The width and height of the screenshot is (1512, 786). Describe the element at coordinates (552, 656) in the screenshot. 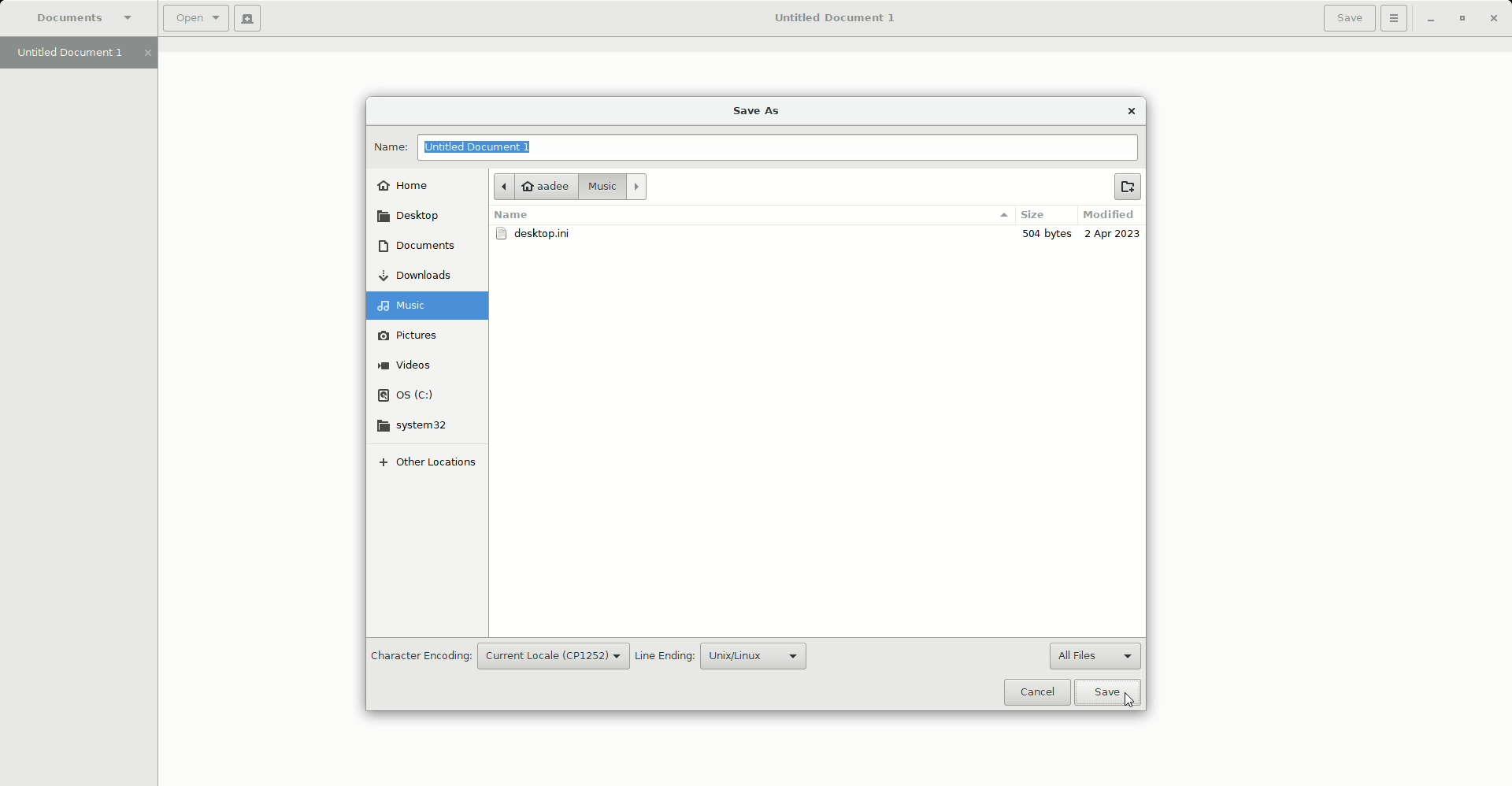

I see `Current locale` at that location.